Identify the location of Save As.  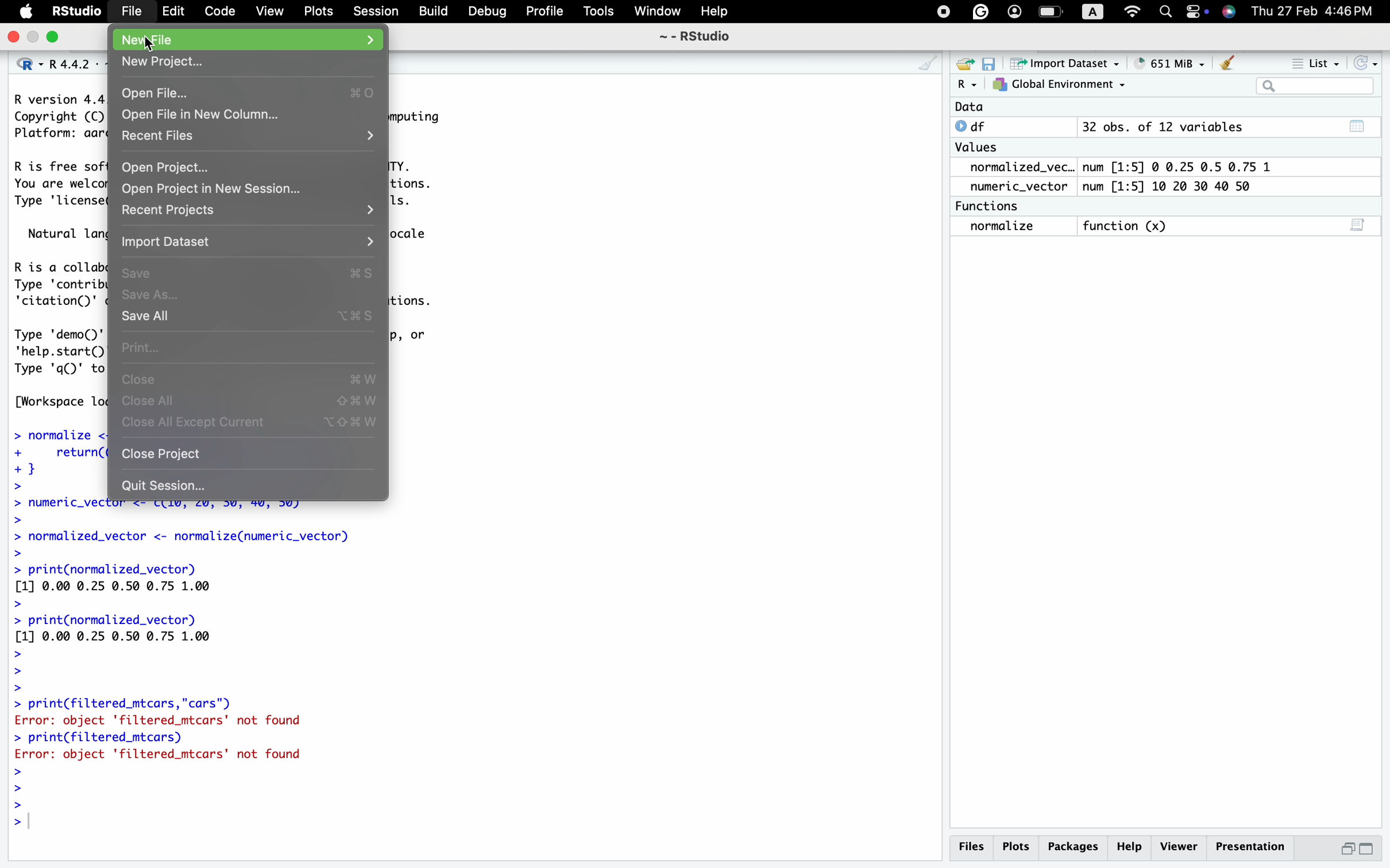
(181, 297).